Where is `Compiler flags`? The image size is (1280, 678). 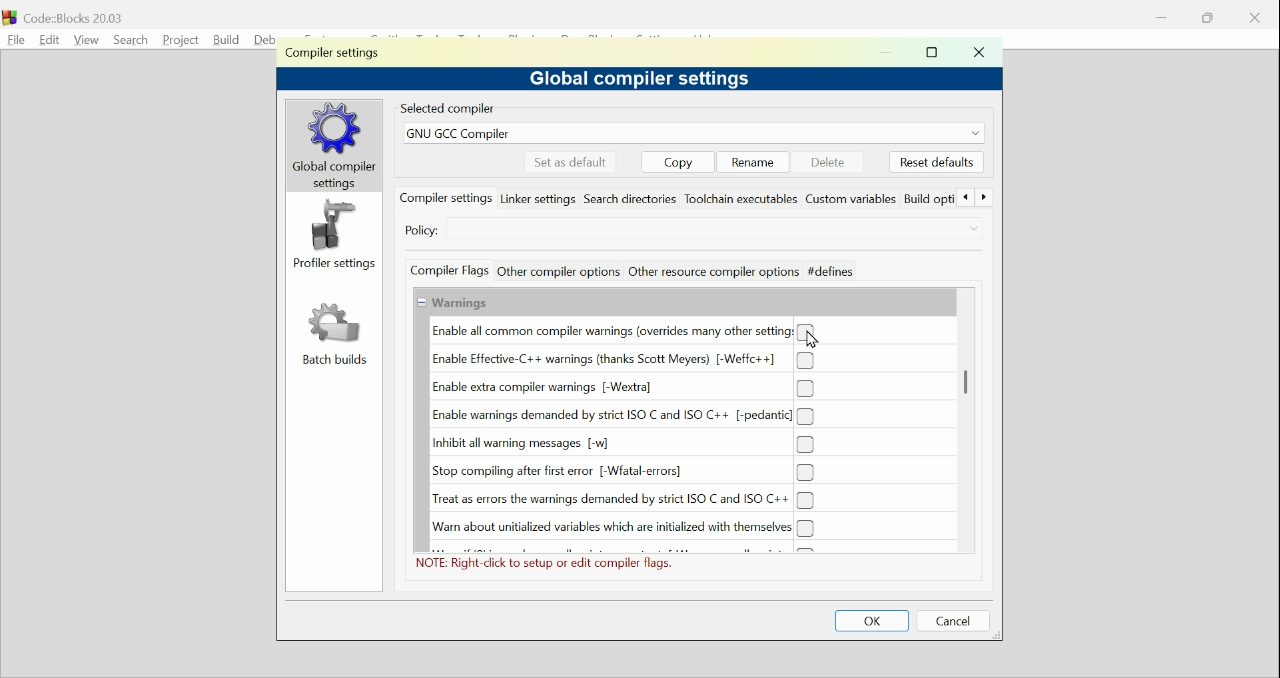
Compiler flags is located at coordinates (449, 270).